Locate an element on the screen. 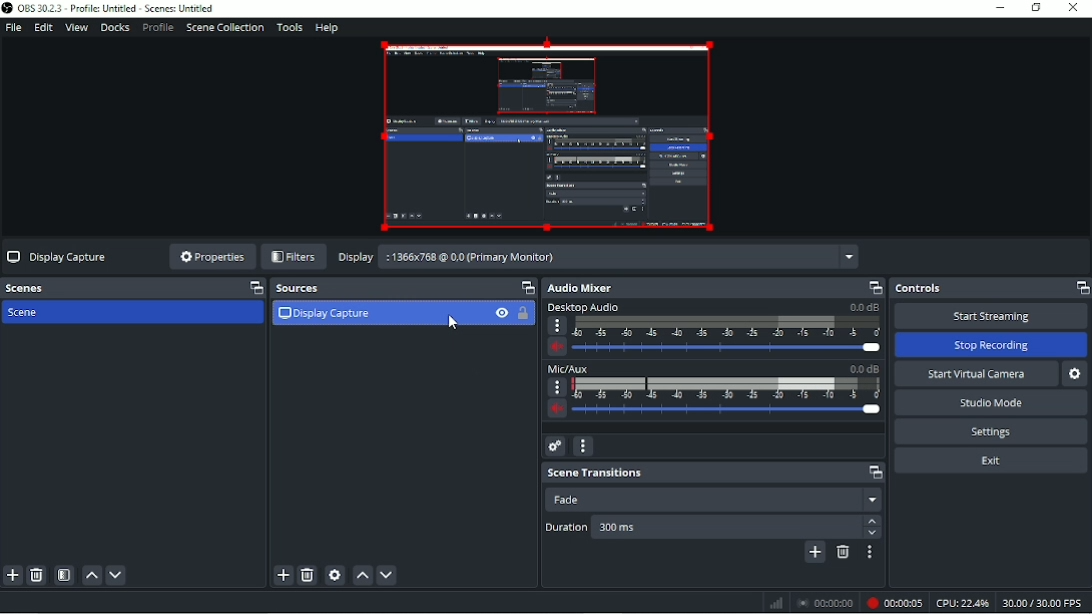 Image resolution: width=1092 pixels, height=614 pixels. :1366*768 @ 0.0 (Primary Monitor) menu is located at coordinates (621, 257).